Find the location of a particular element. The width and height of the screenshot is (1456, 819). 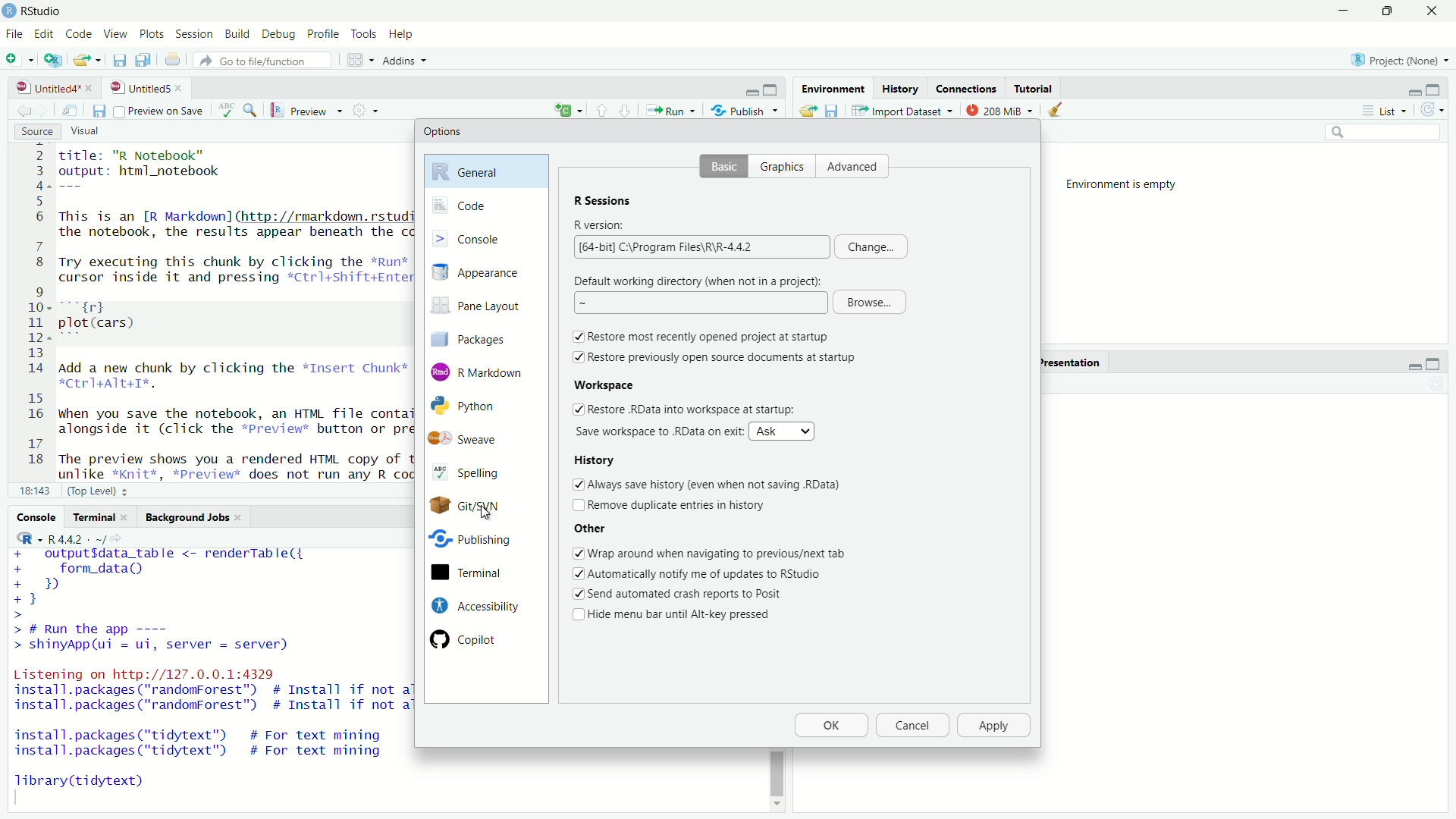

+ outputfdata_table <- renderTable({+ form_data()+B+}>> # Run the app ----> shinyApp(ui = ui, server = server)Listening on http://127.0.0.1:4329install.packages ("randomForest") # Install if not already installedinstall.packages ("randomForest") # Install if not already installedinstall.packages ("tidytext") # For text mininginstall.packages ("tidytext") # For text miningTibrary(tidytext) is located at coordinates (209, 676).